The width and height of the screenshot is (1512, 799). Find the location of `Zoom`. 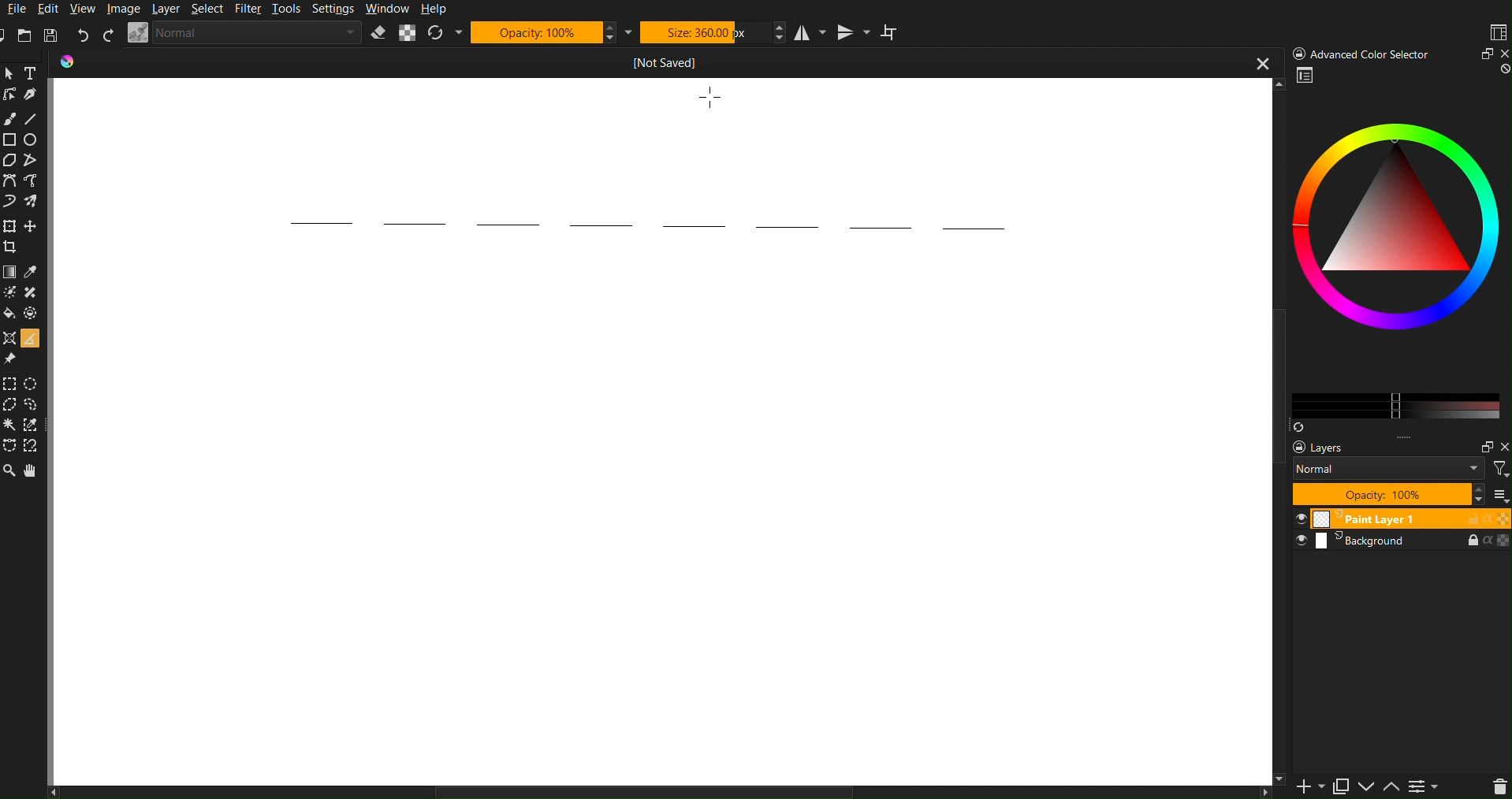

Zoom is located at coordinates (10, 73).